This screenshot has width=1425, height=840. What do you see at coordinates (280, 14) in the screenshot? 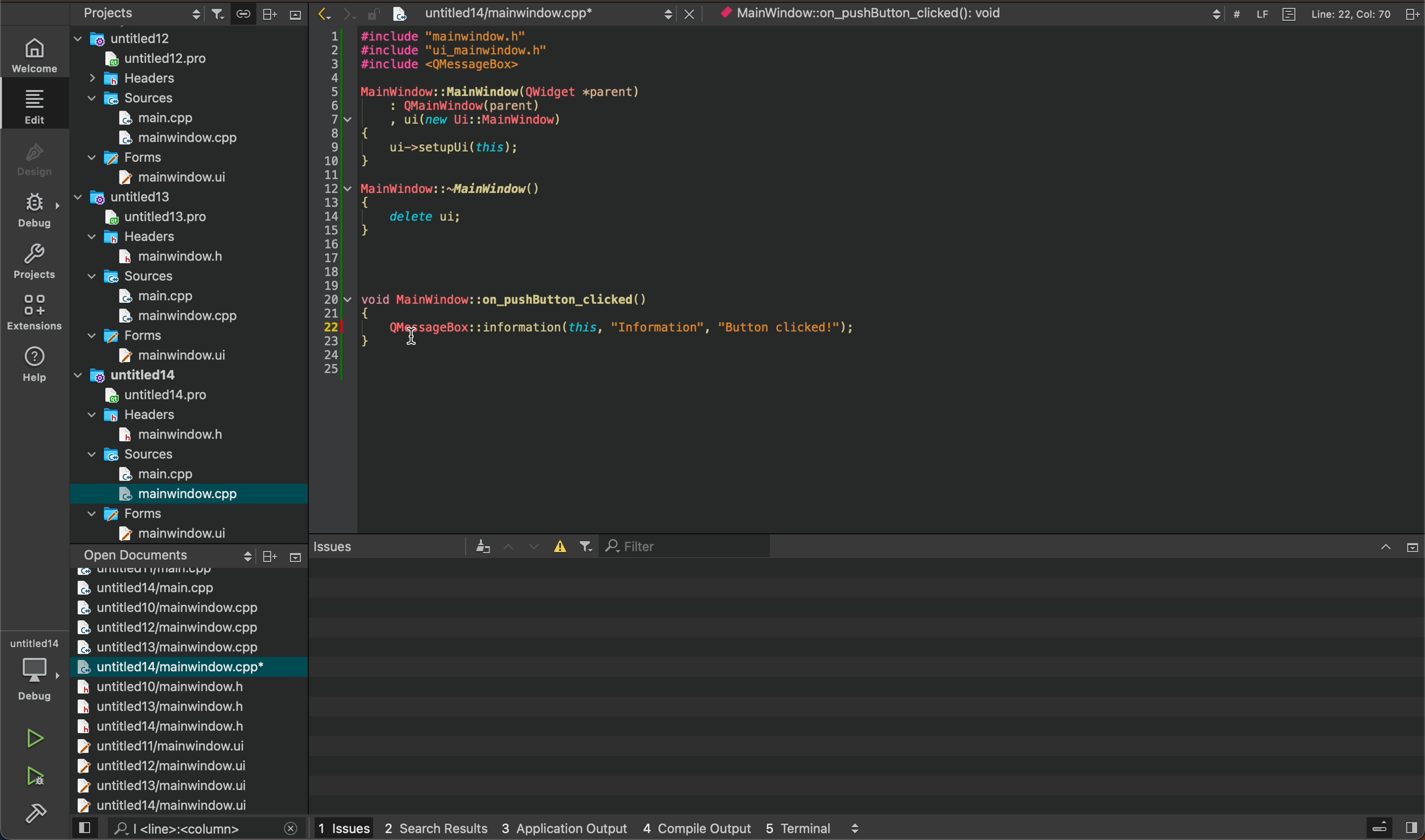
I see `close bar` at bounding box center [280, 14].